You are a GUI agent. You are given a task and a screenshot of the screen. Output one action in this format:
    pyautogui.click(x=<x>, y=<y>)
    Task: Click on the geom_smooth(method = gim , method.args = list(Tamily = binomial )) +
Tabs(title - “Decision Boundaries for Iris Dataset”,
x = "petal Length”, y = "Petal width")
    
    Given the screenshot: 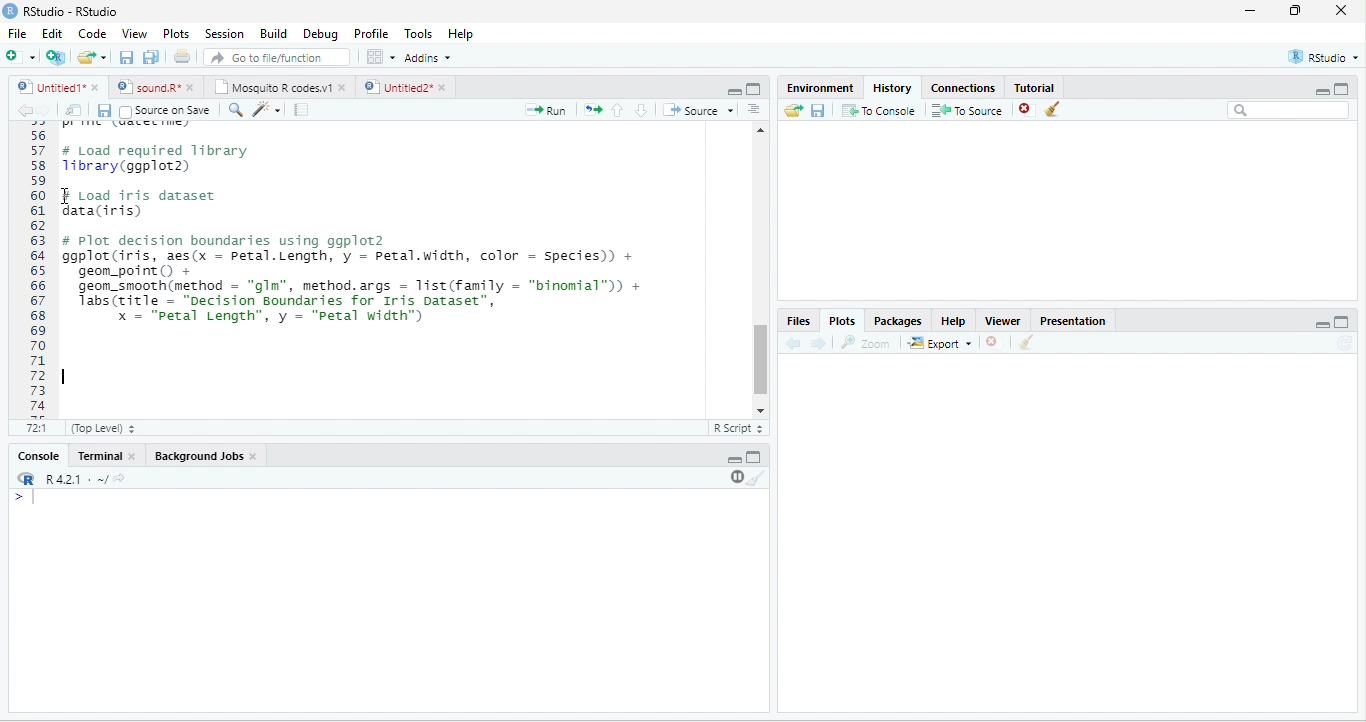 What is the action you would take?
    pyautogui.click(x=367, y=305)
    